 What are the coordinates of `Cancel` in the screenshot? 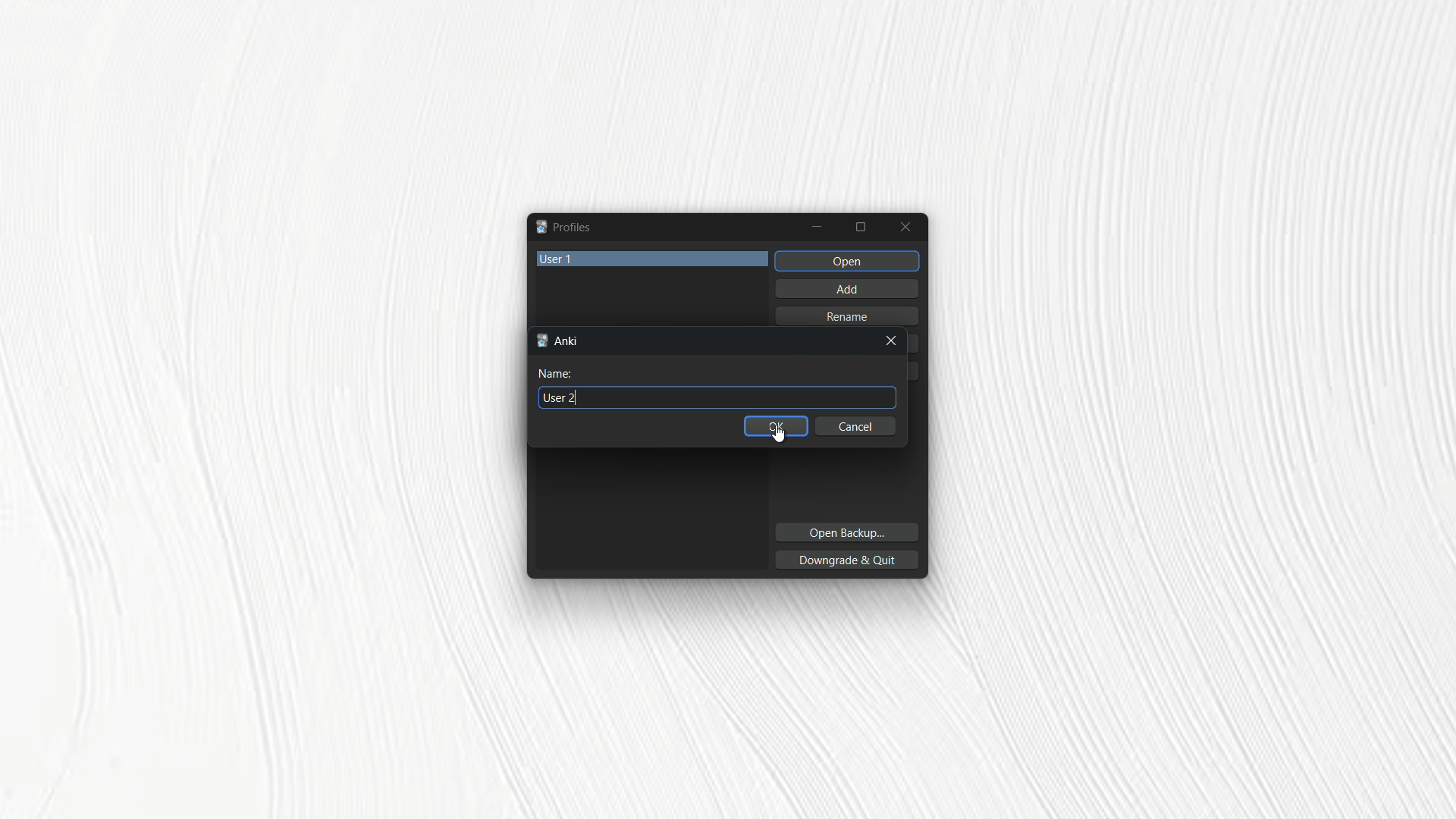 It's located at (857, 427).